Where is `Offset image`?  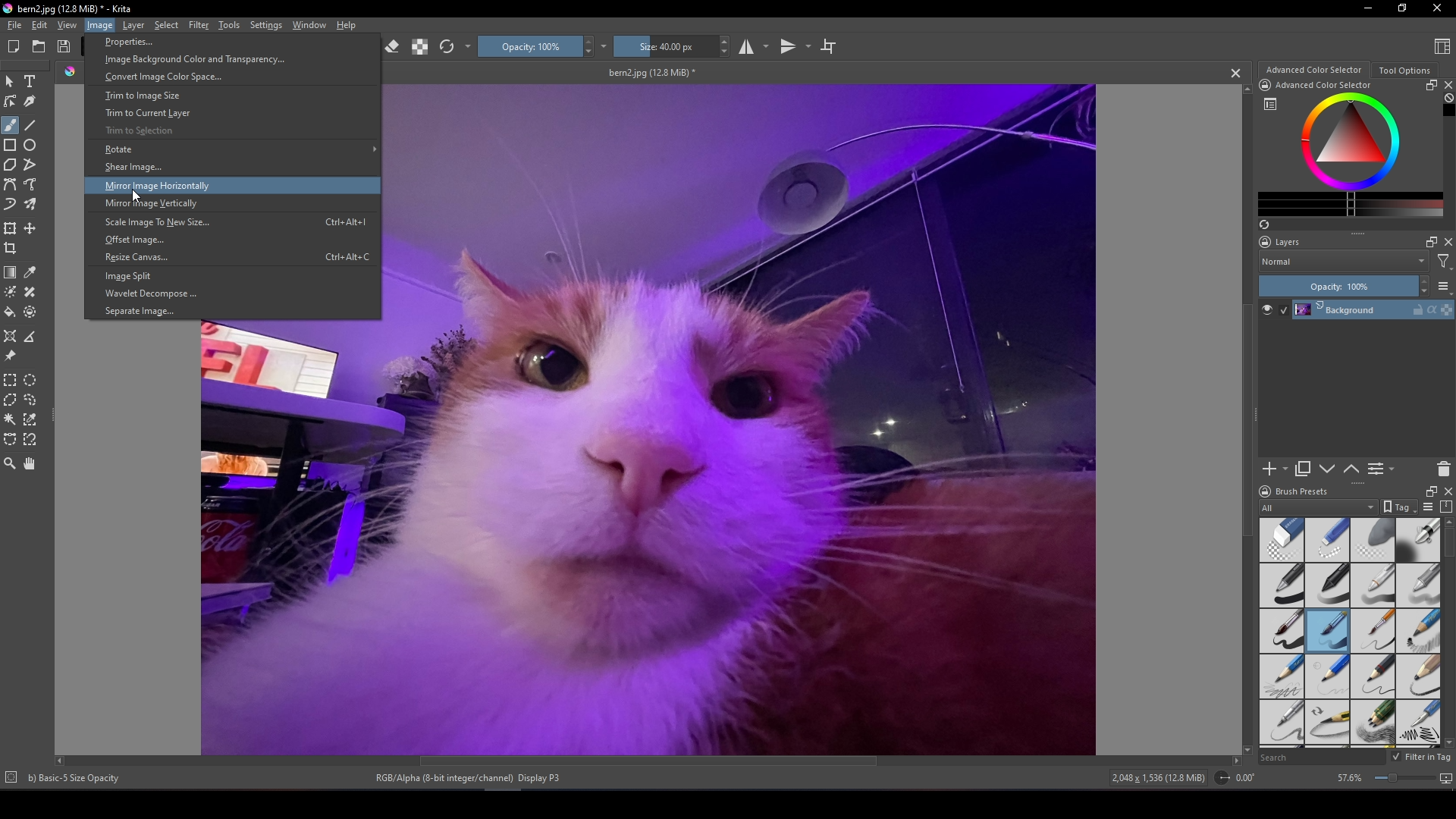
Offset image is located at coordinates (234, 238).